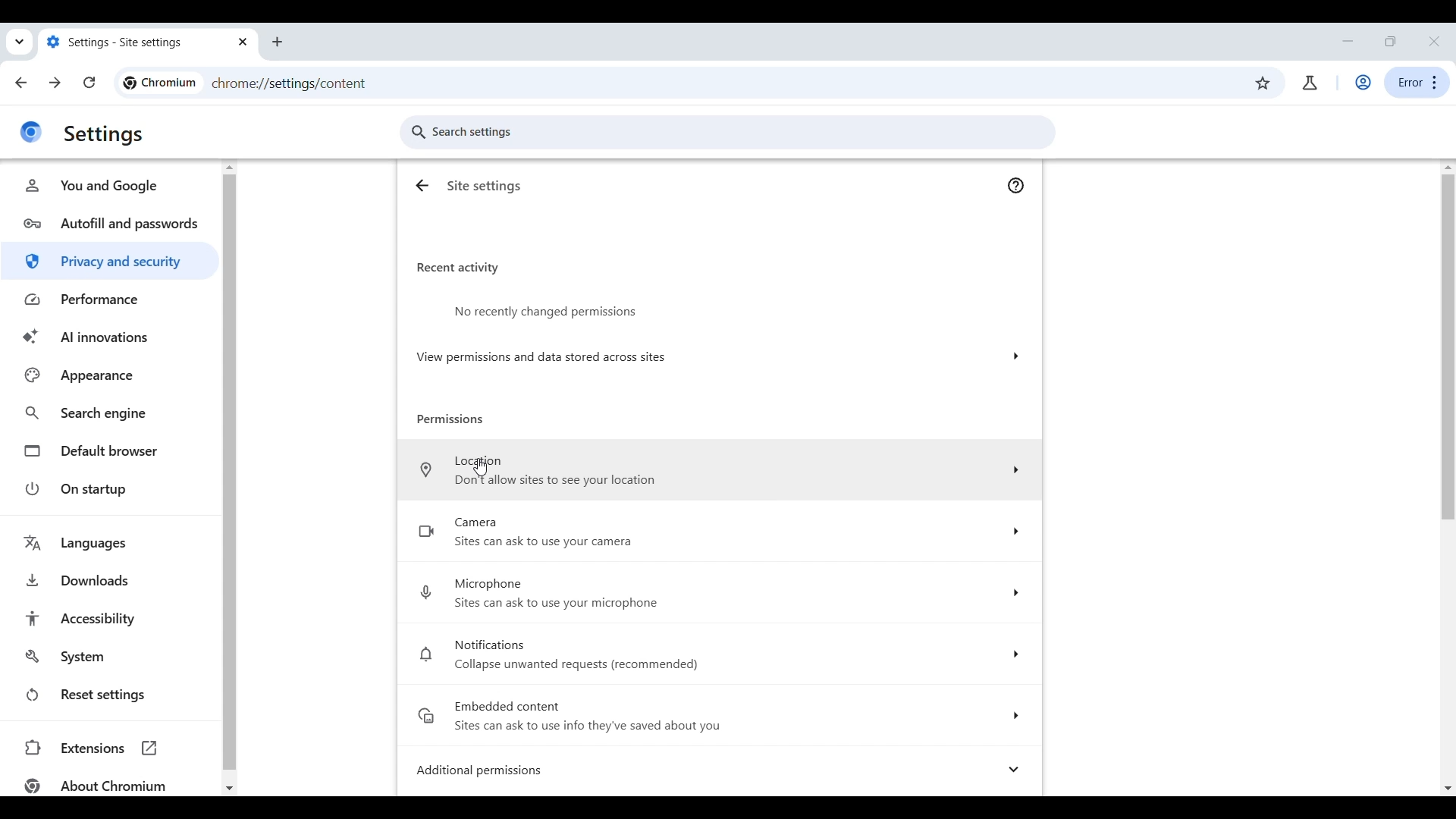 Image resolution: width=1456 pixels, height=819 pixels. Describe the element at coordinates (110, 221) in the screenshot. I see `Autofill and passwords` at that location.